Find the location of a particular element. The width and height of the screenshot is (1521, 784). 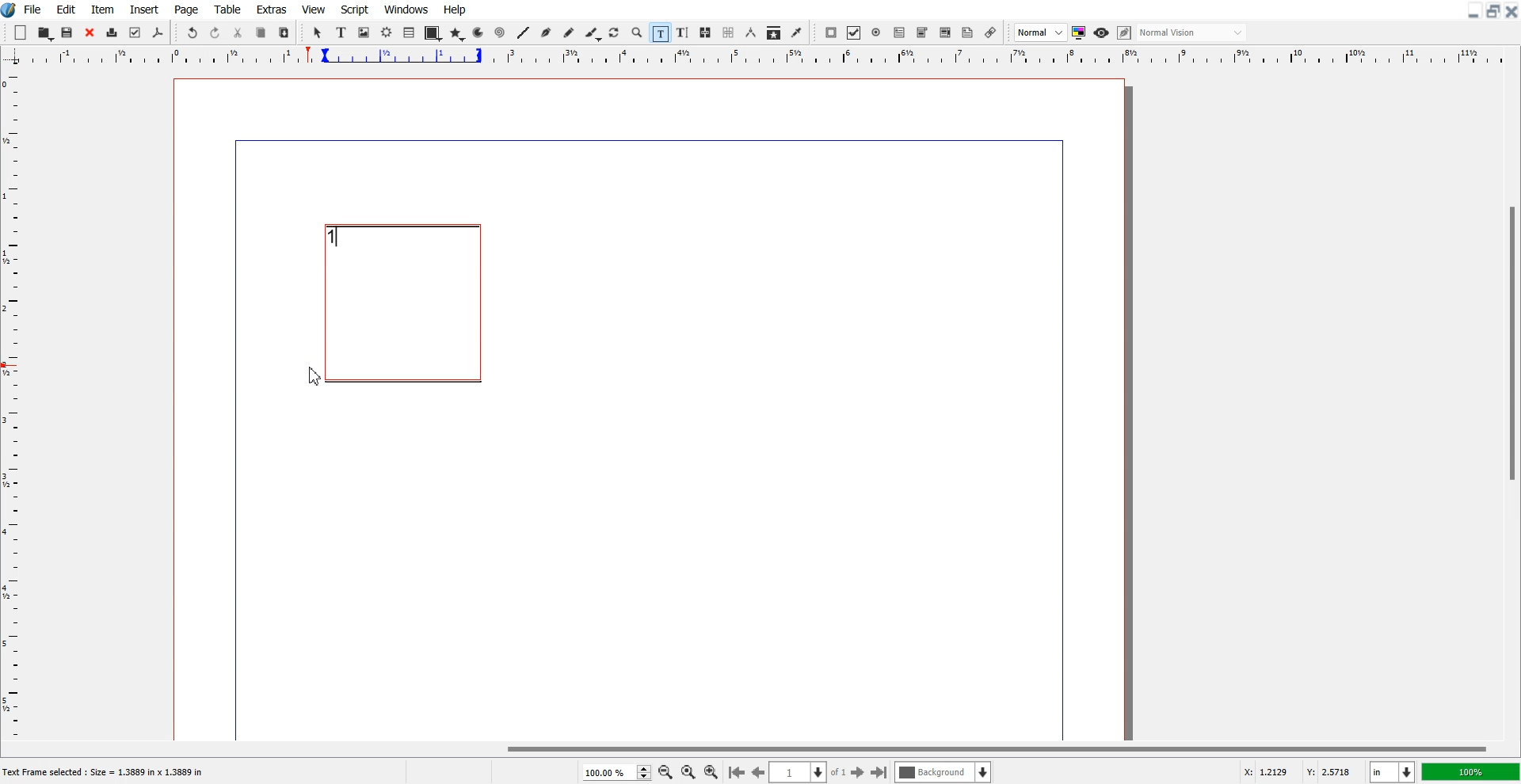

Toggle color management system is located at coordinates (1080, 32).